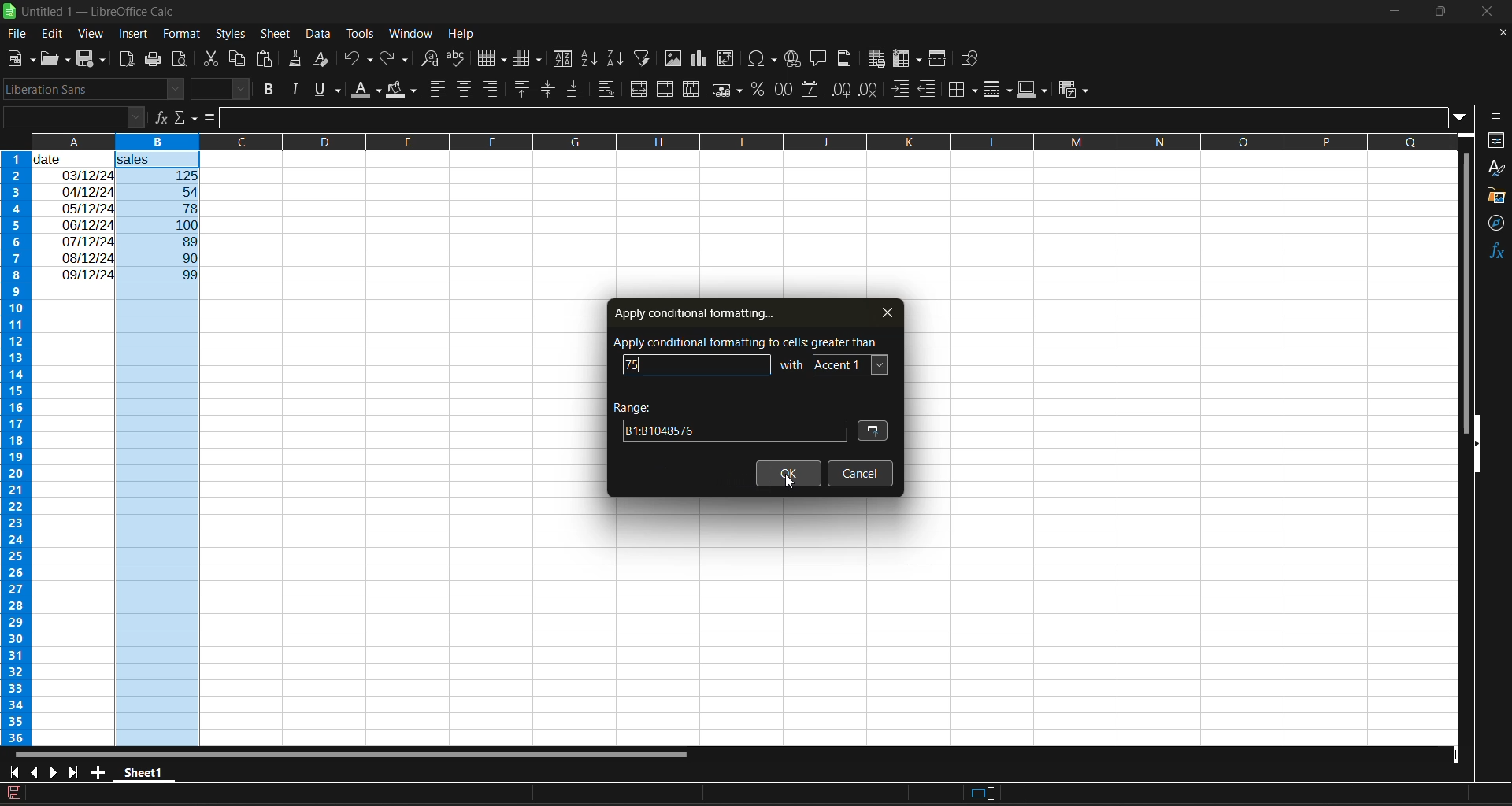 The height and width of the screenshot is (806, 1512). Describe the element at coordinates (158, 117) in the screenshot. I see `function wizard` at that location.